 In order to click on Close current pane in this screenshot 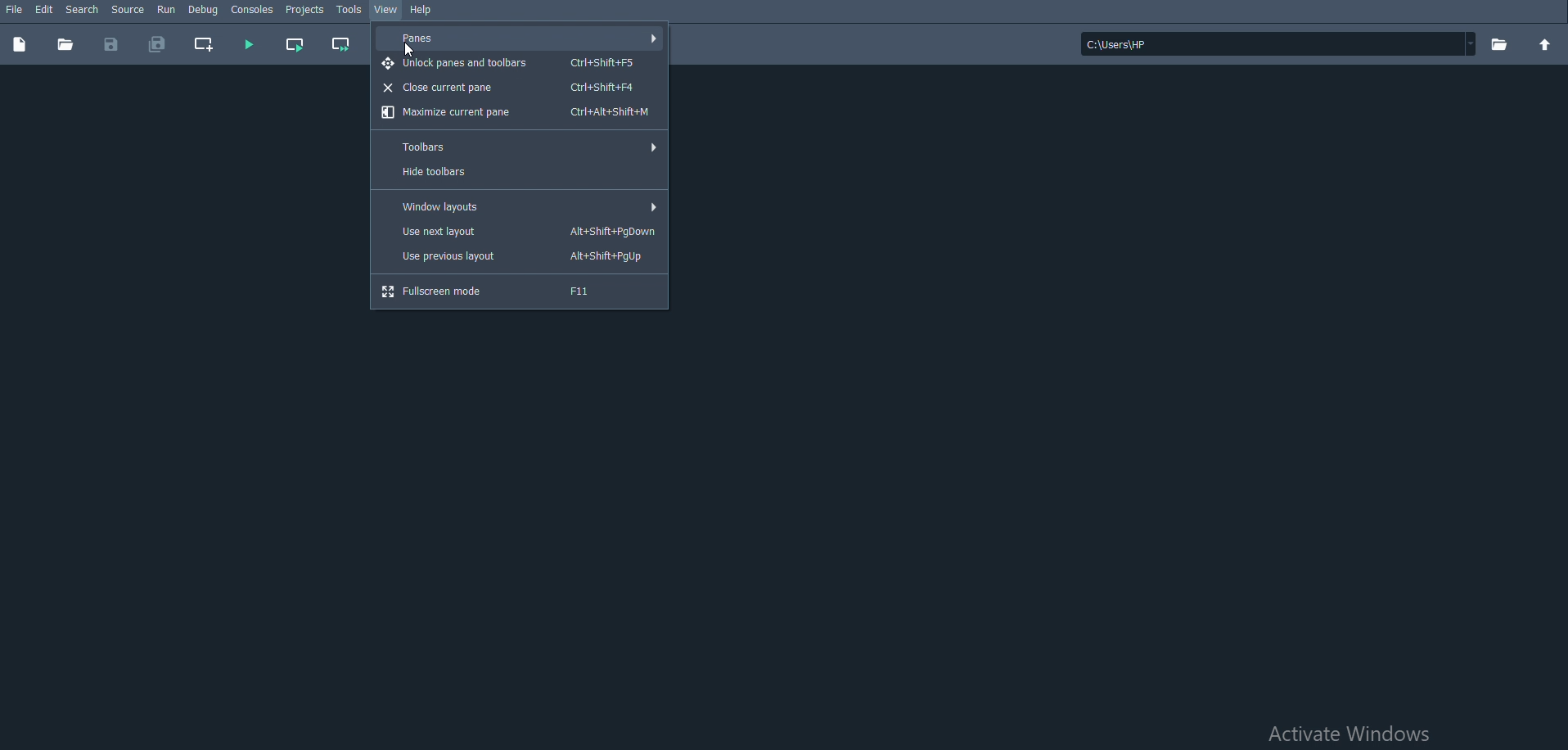, I will do `click(517, 87)`.